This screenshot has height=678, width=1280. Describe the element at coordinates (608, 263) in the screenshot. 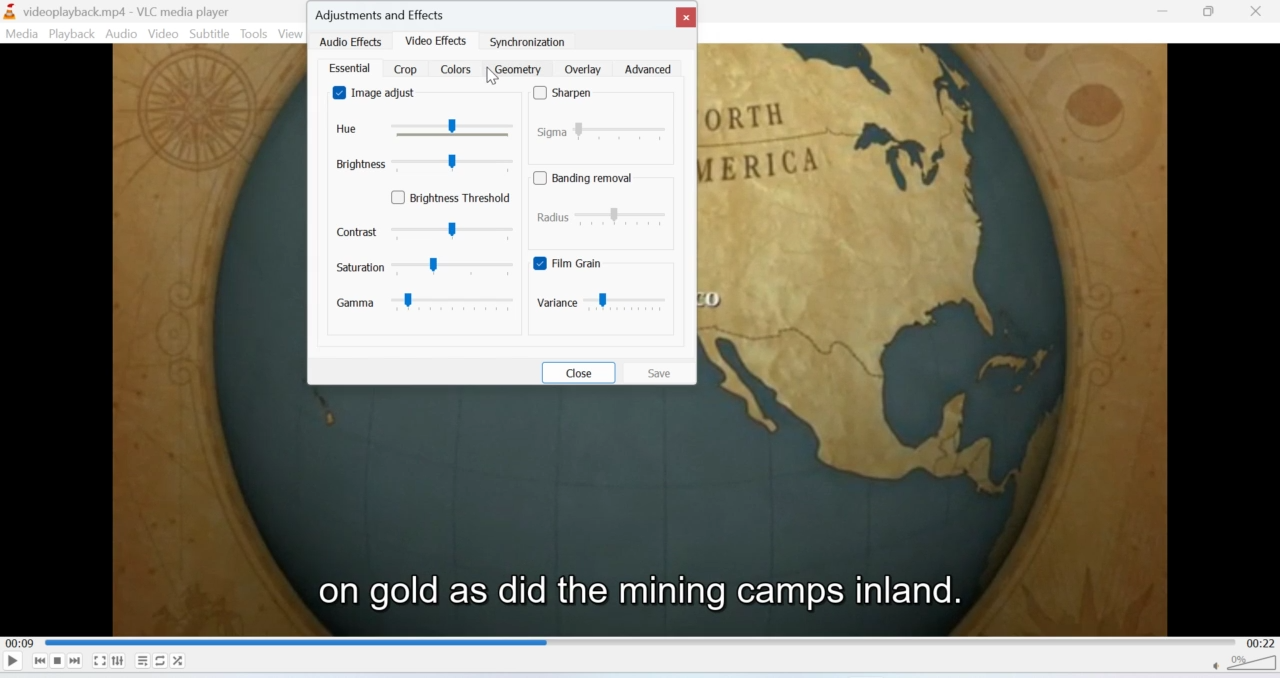

I see `film grain` at that location.